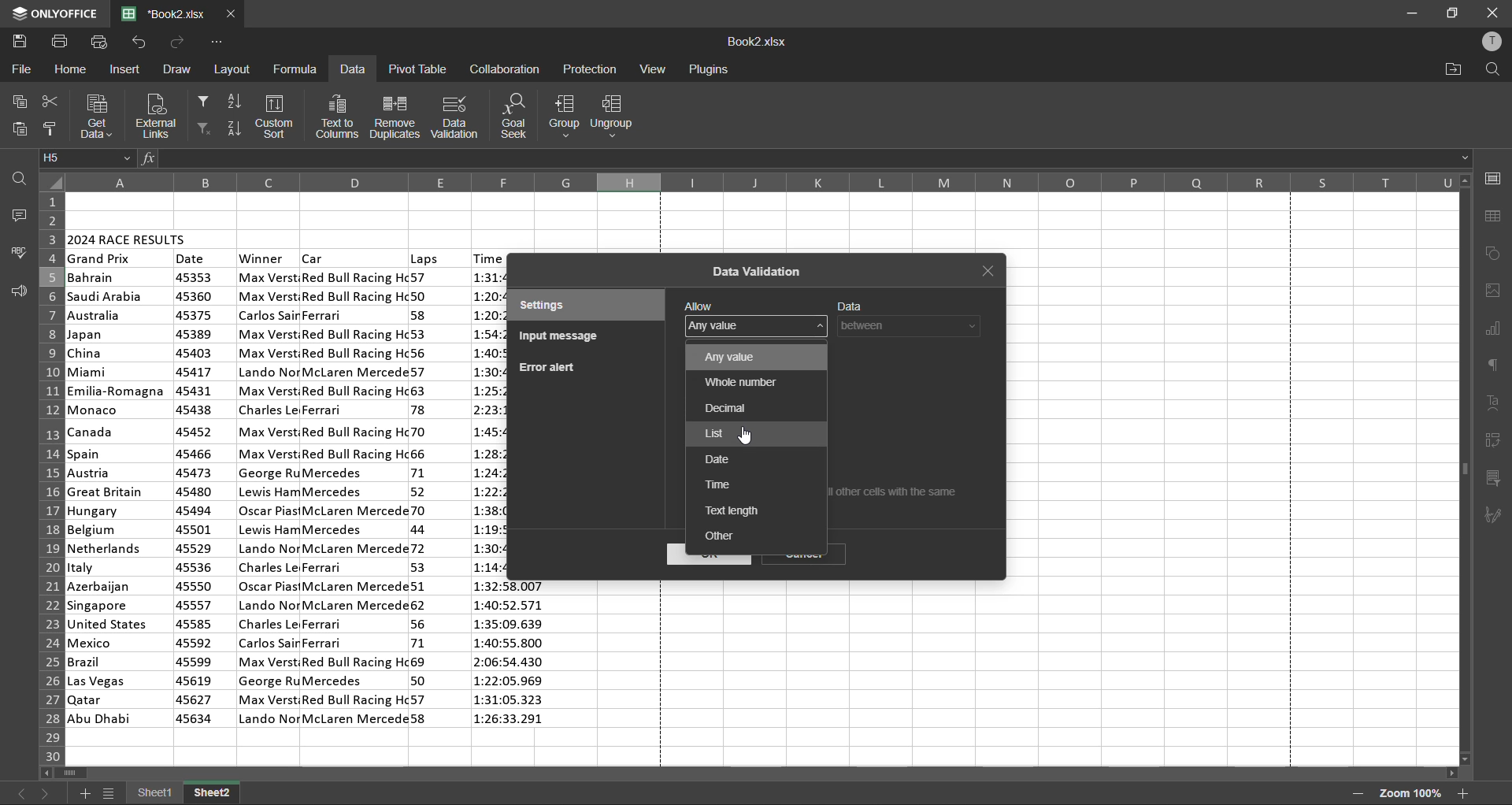 The height and width of the screenshot is (805, 1512). I want to click on cursor, so click(747, 435).